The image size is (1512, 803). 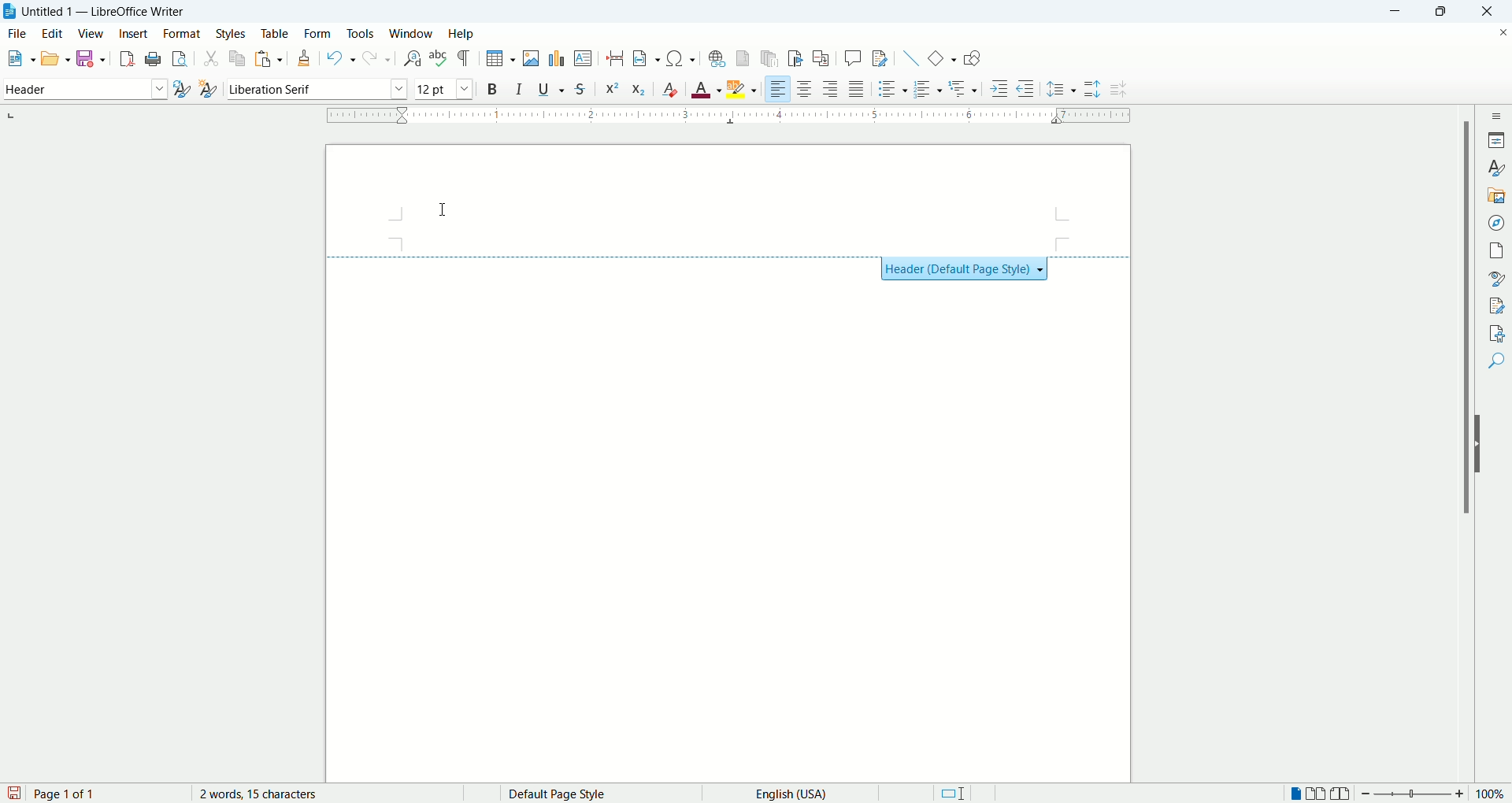 I want to click on insert textbox, so click(x=583, y=57).